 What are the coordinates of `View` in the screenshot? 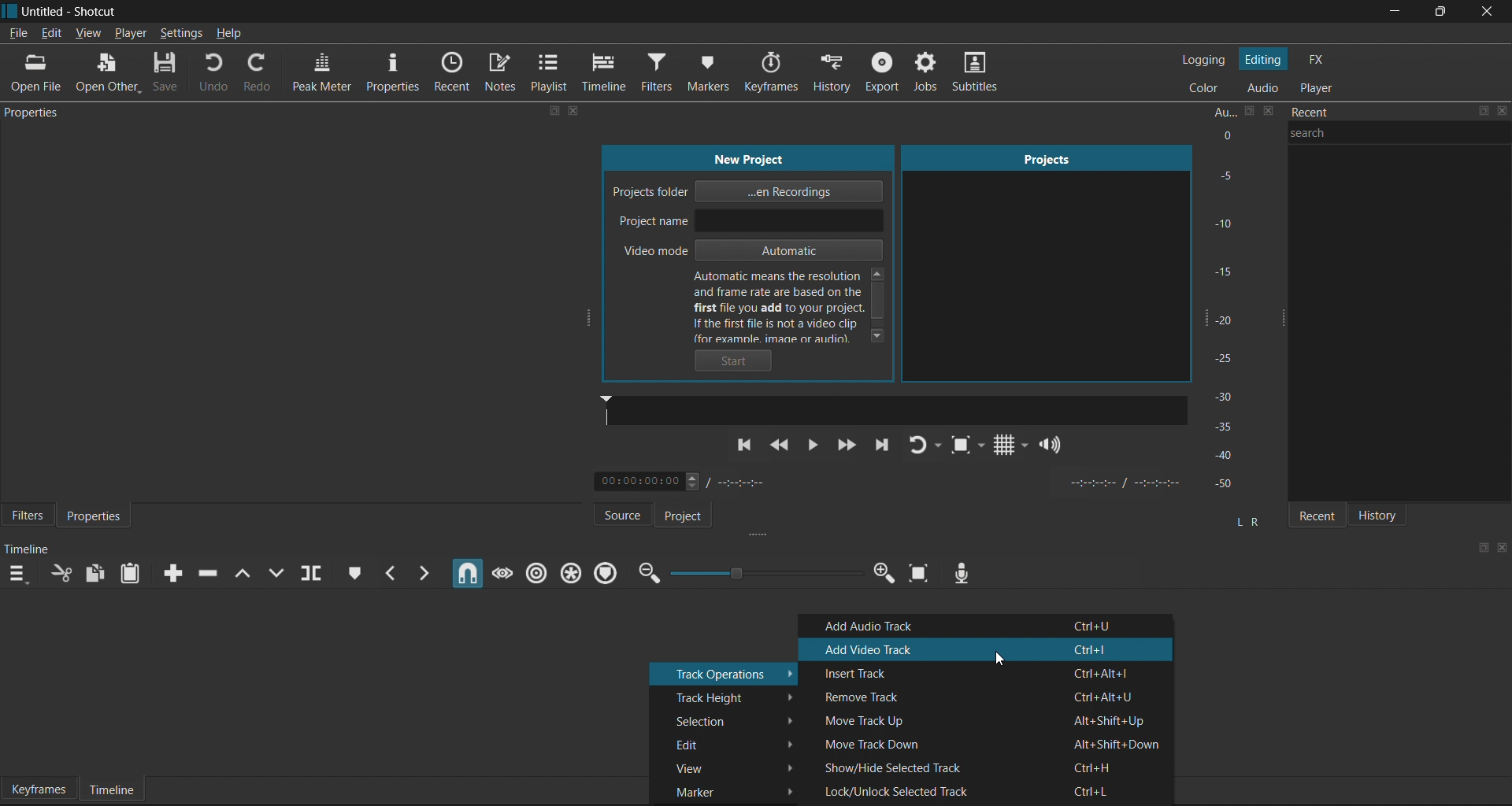 It's located at (88, 31).